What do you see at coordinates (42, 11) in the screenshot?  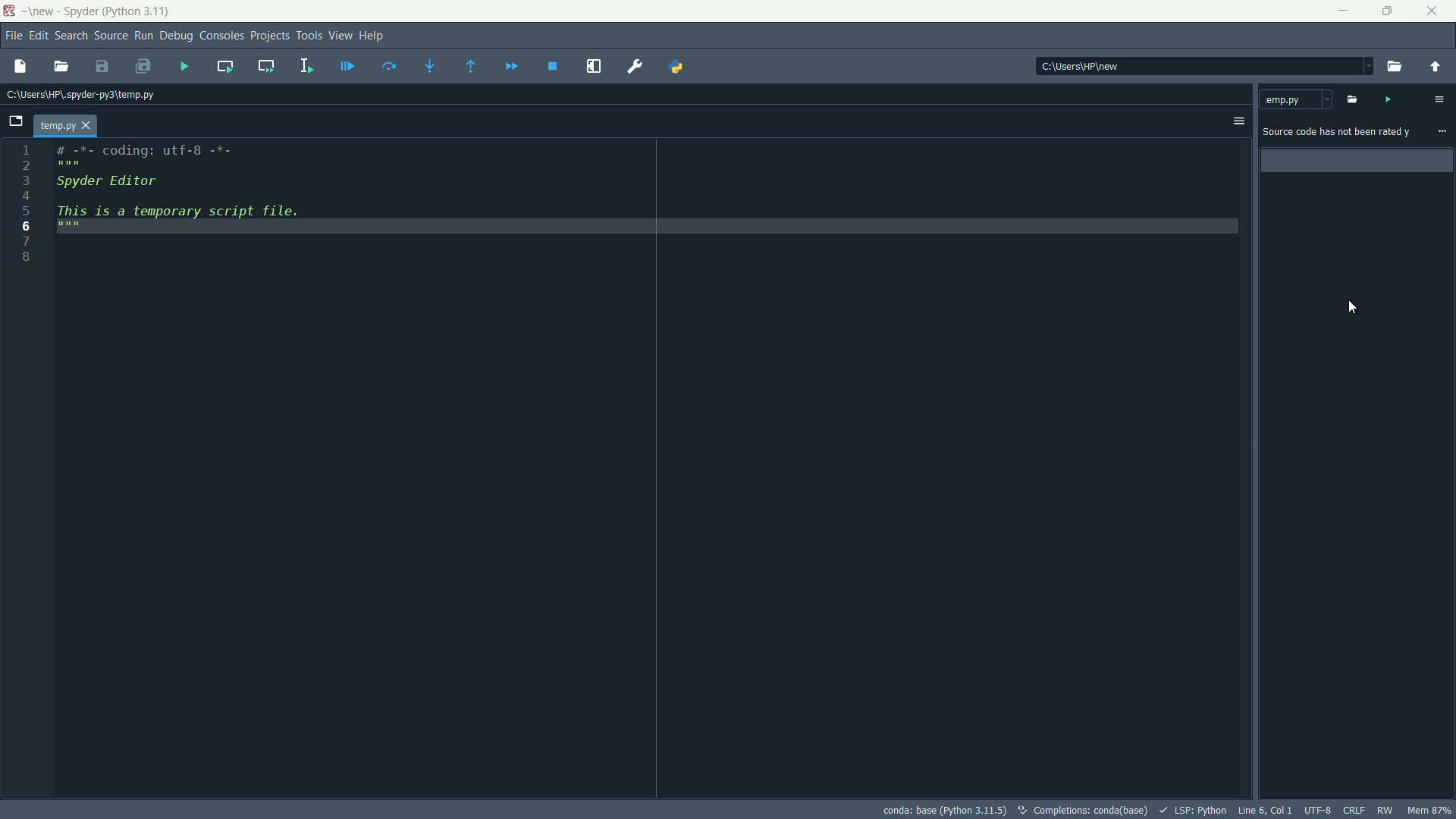 I see `new` at bounding box center [42, 11].